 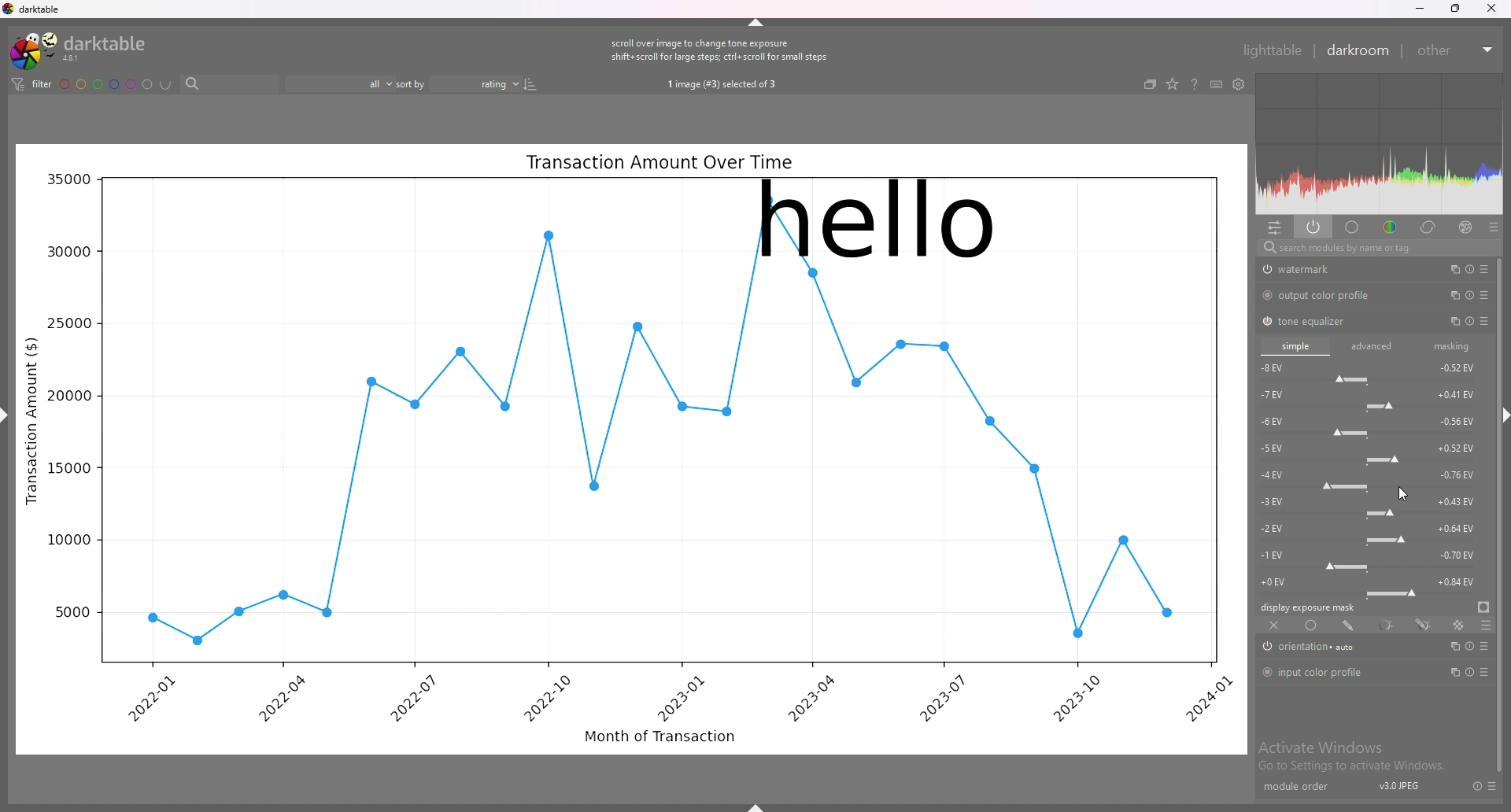 I want to click on drawn and parametric mask, so click(x=1422, y=624).